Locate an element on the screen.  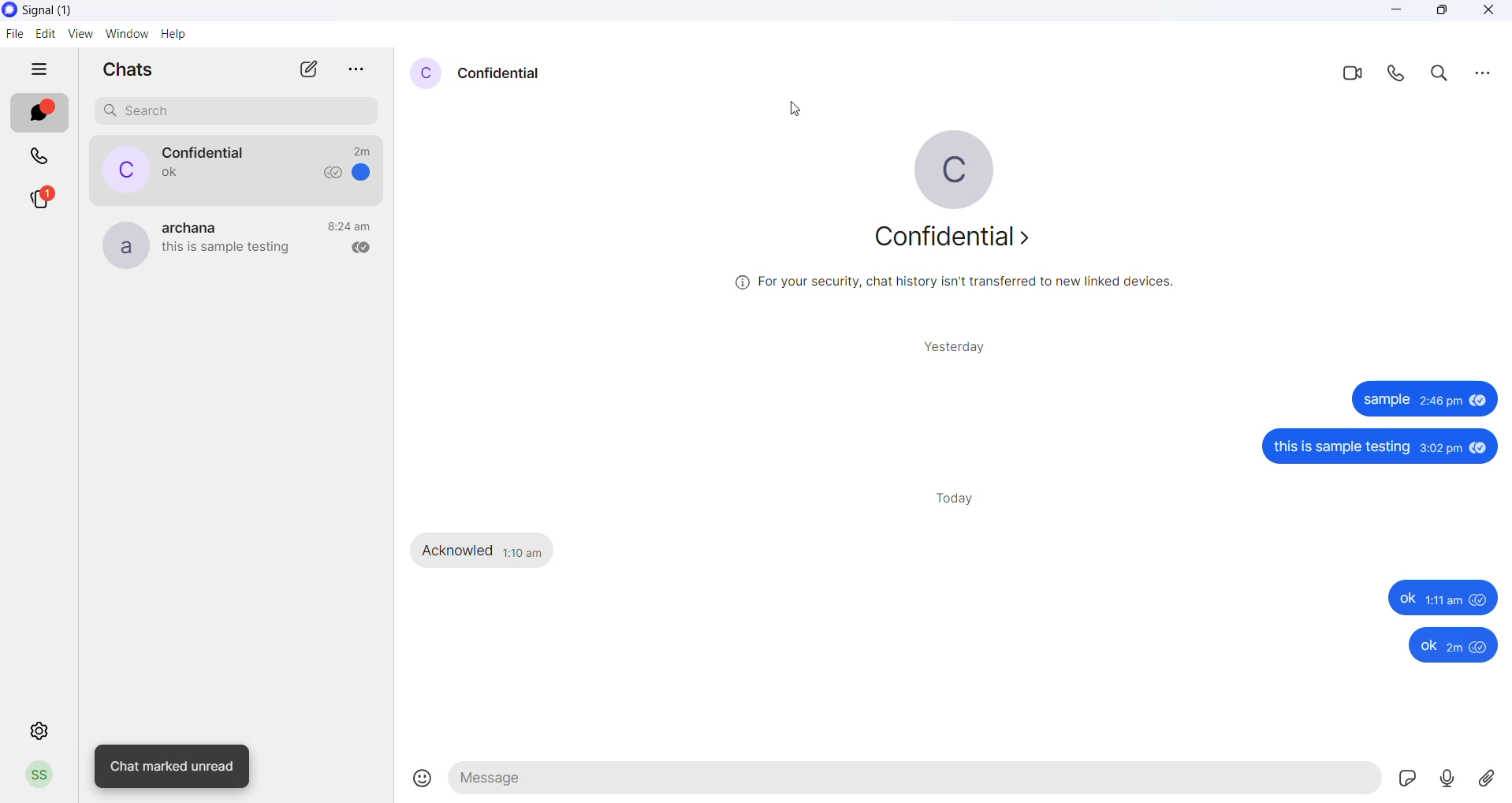
file is located at coordinates (14, 37).